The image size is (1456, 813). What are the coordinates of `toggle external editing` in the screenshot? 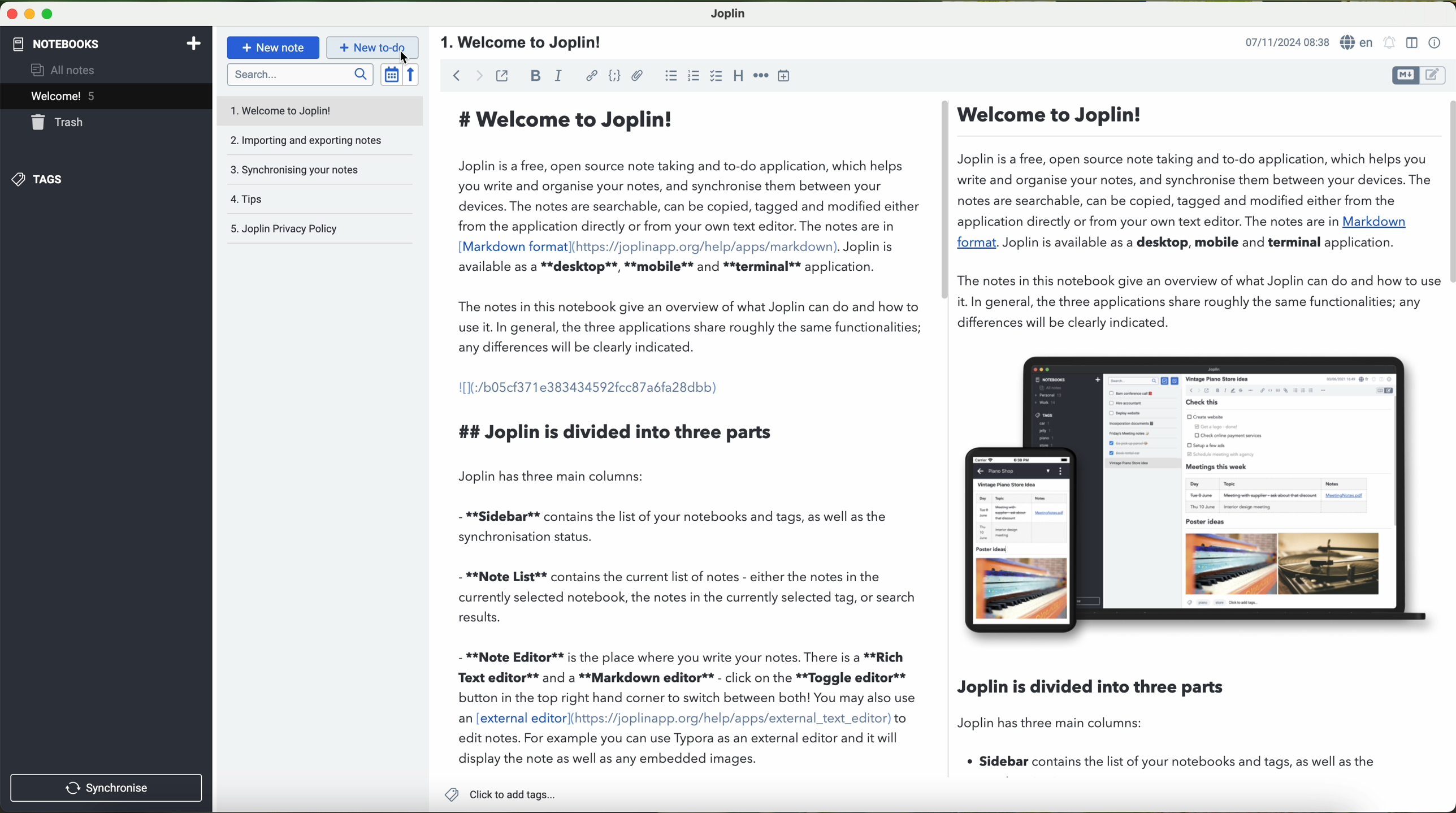 It's located at (502, 75).